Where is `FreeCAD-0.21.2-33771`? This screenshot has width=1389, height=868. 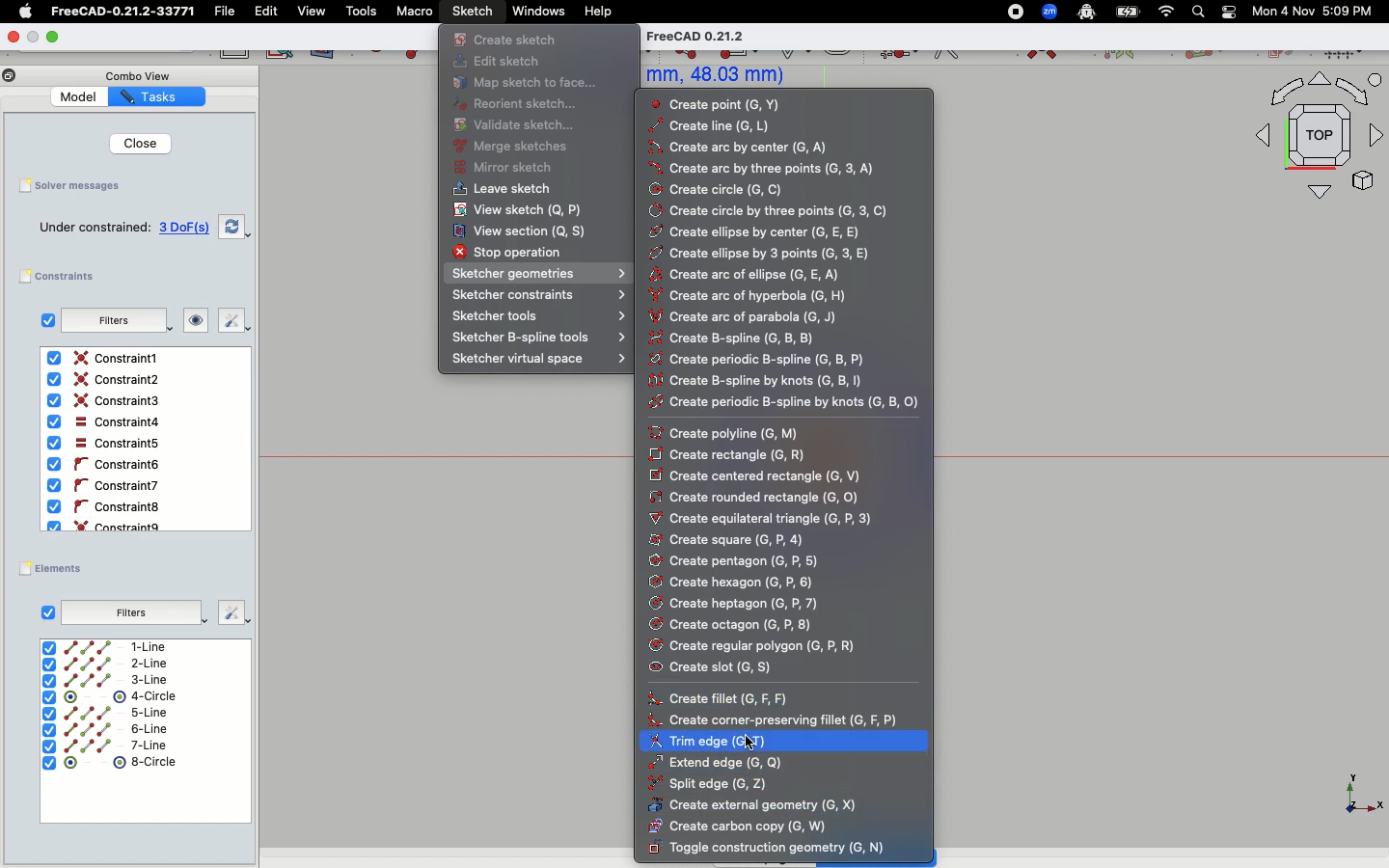
FreeCAD-0.21.2-33771 is located at coordinates (123, 12).